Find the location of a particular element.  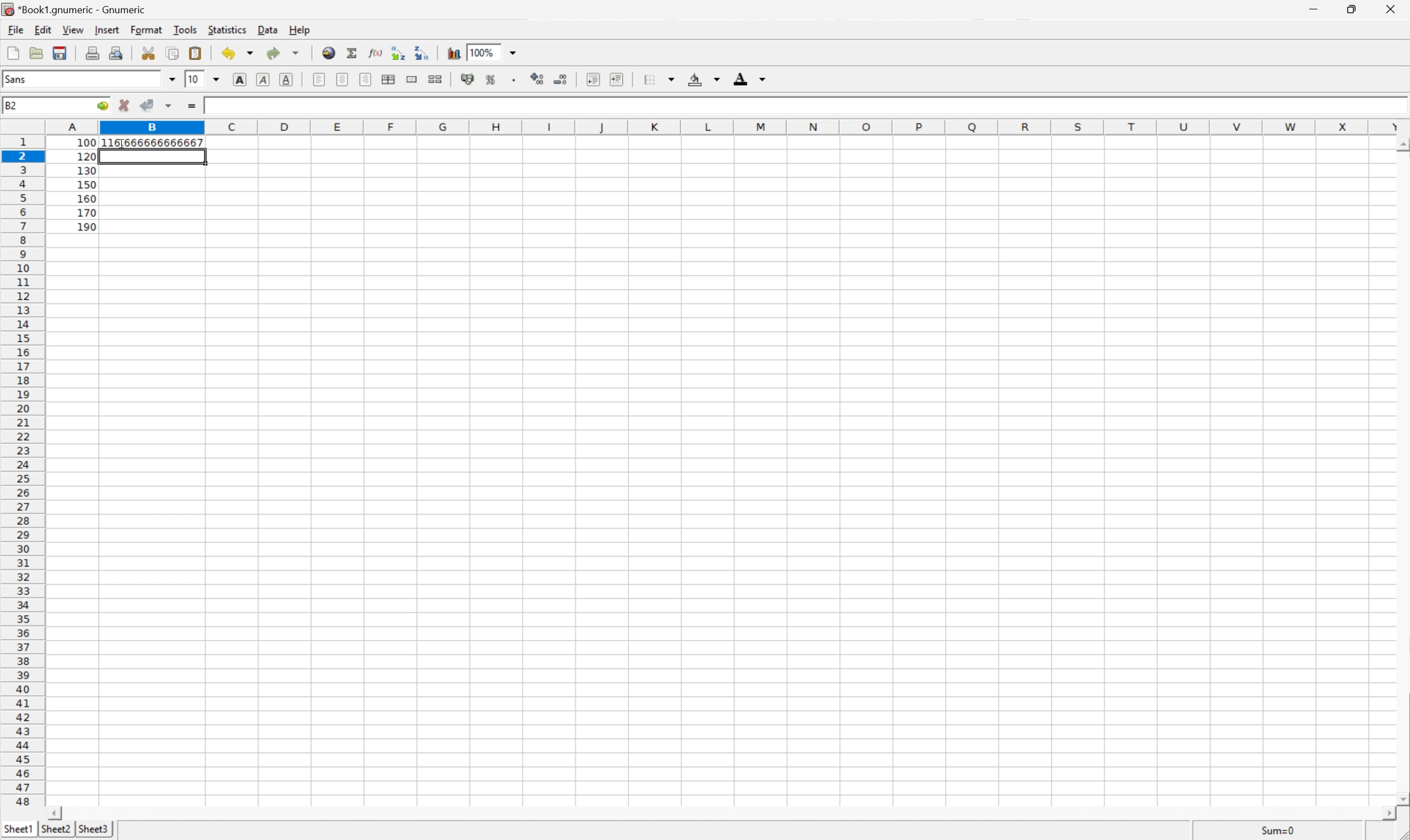

Column names is located at coordinates (725, 127).